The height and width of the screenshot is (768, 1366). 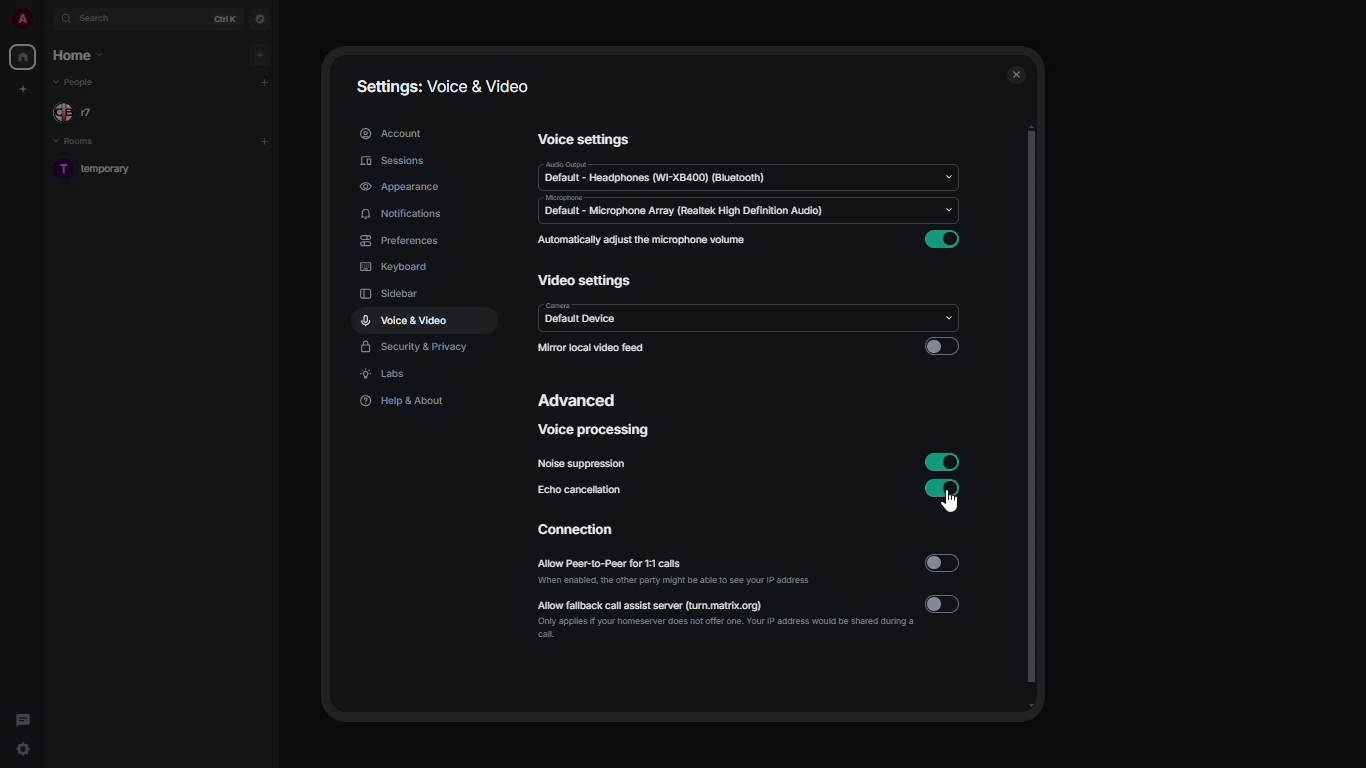 What do you see at coordinates (938, 563) in the screenshot?
I see `disabled` at bounding box center [938, 563].